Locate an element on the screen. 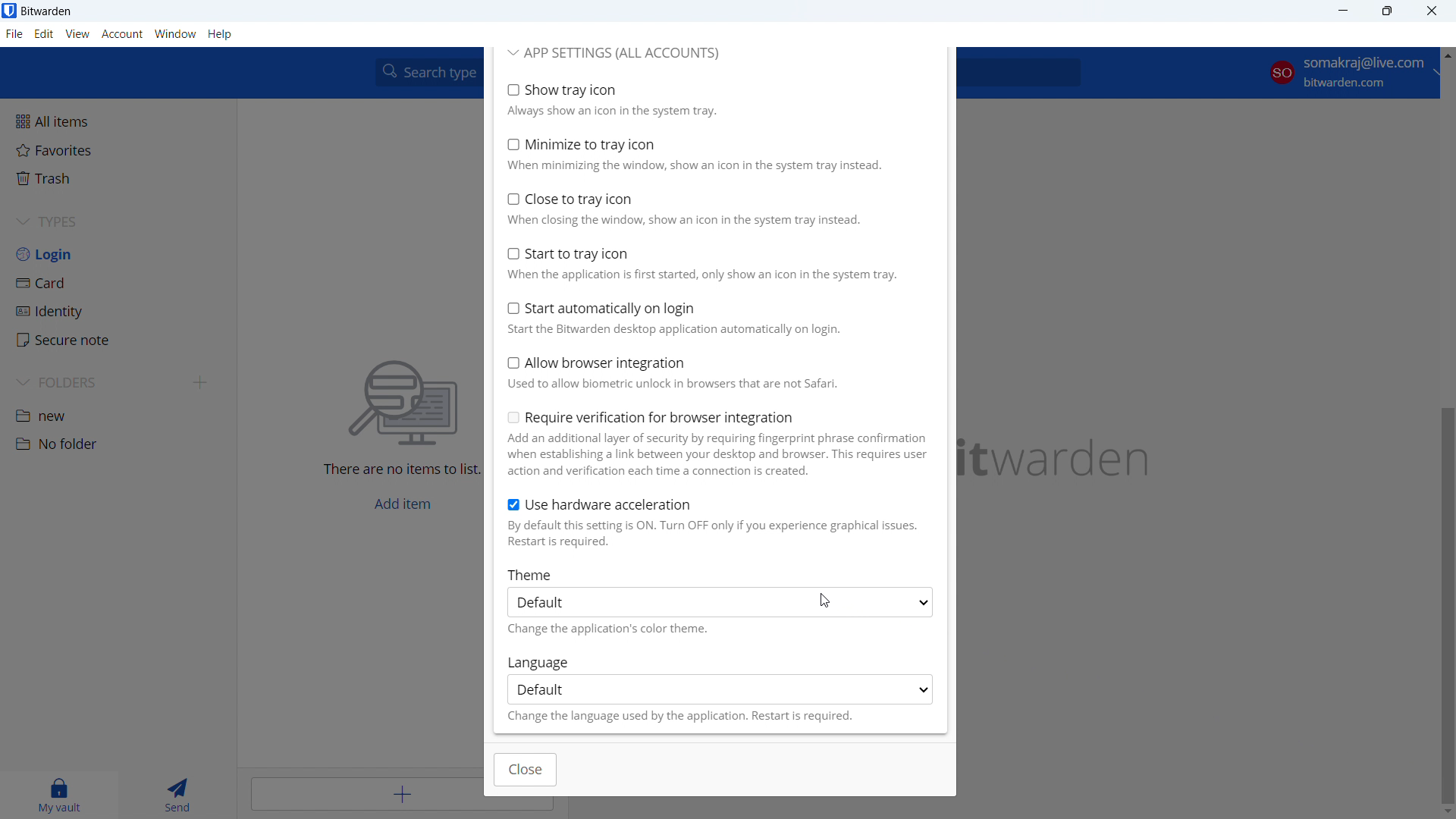  scrollbar is located at coordinates (1447, 605).